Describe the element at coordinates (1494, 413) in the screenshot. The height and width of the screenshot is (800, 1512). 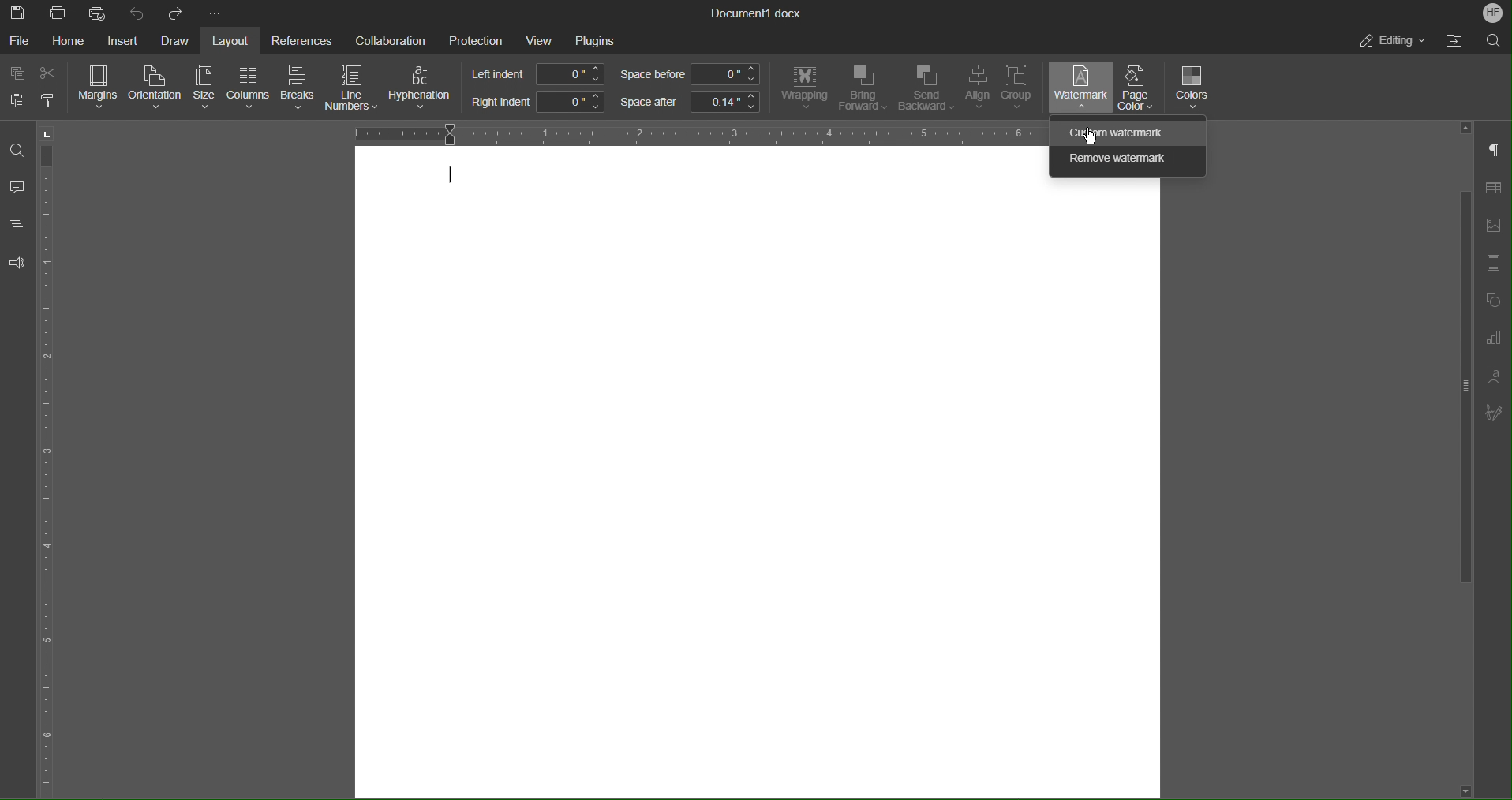
I see `Signature` at that location.